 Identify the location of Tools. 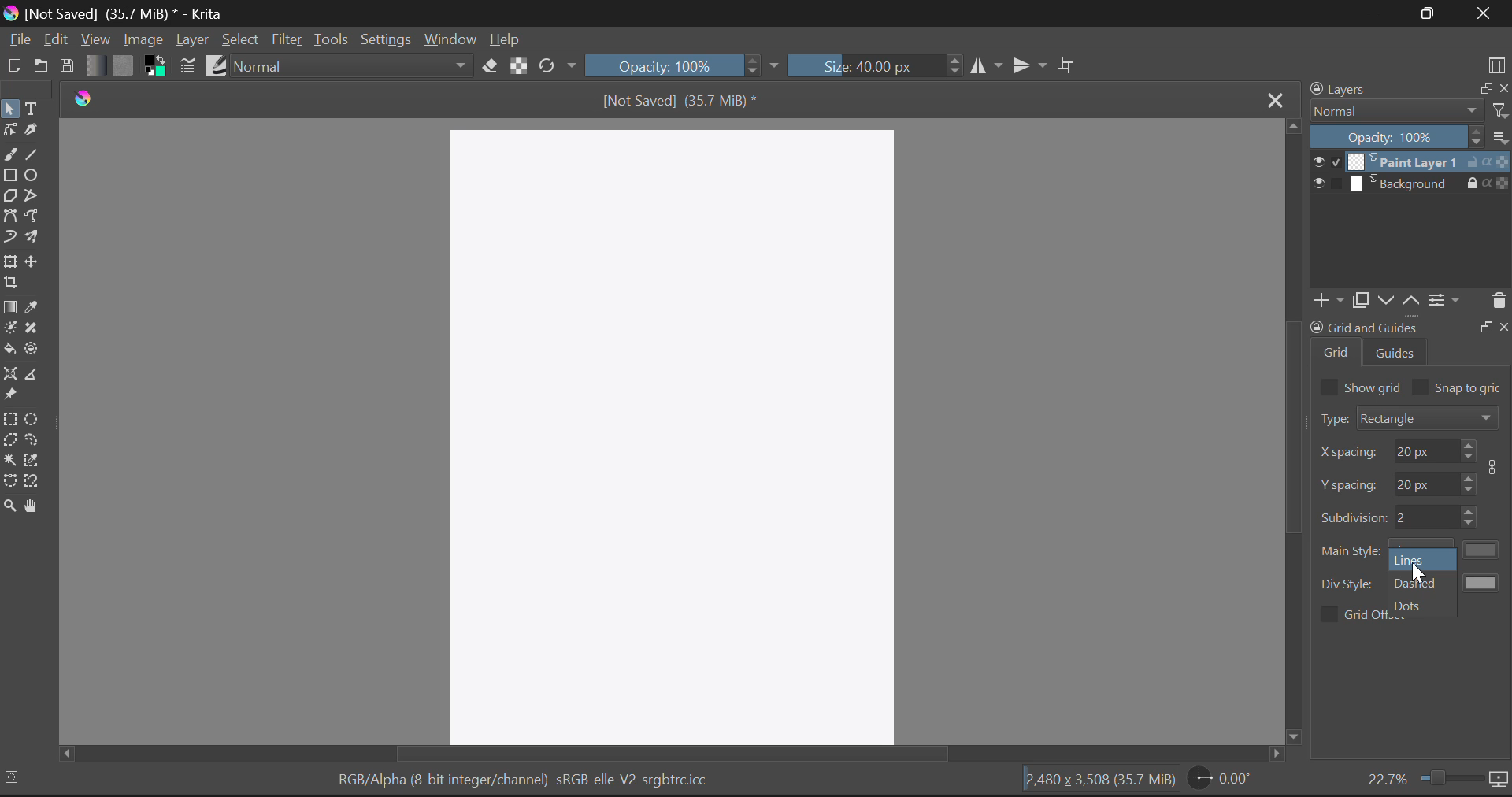
(330, 39).